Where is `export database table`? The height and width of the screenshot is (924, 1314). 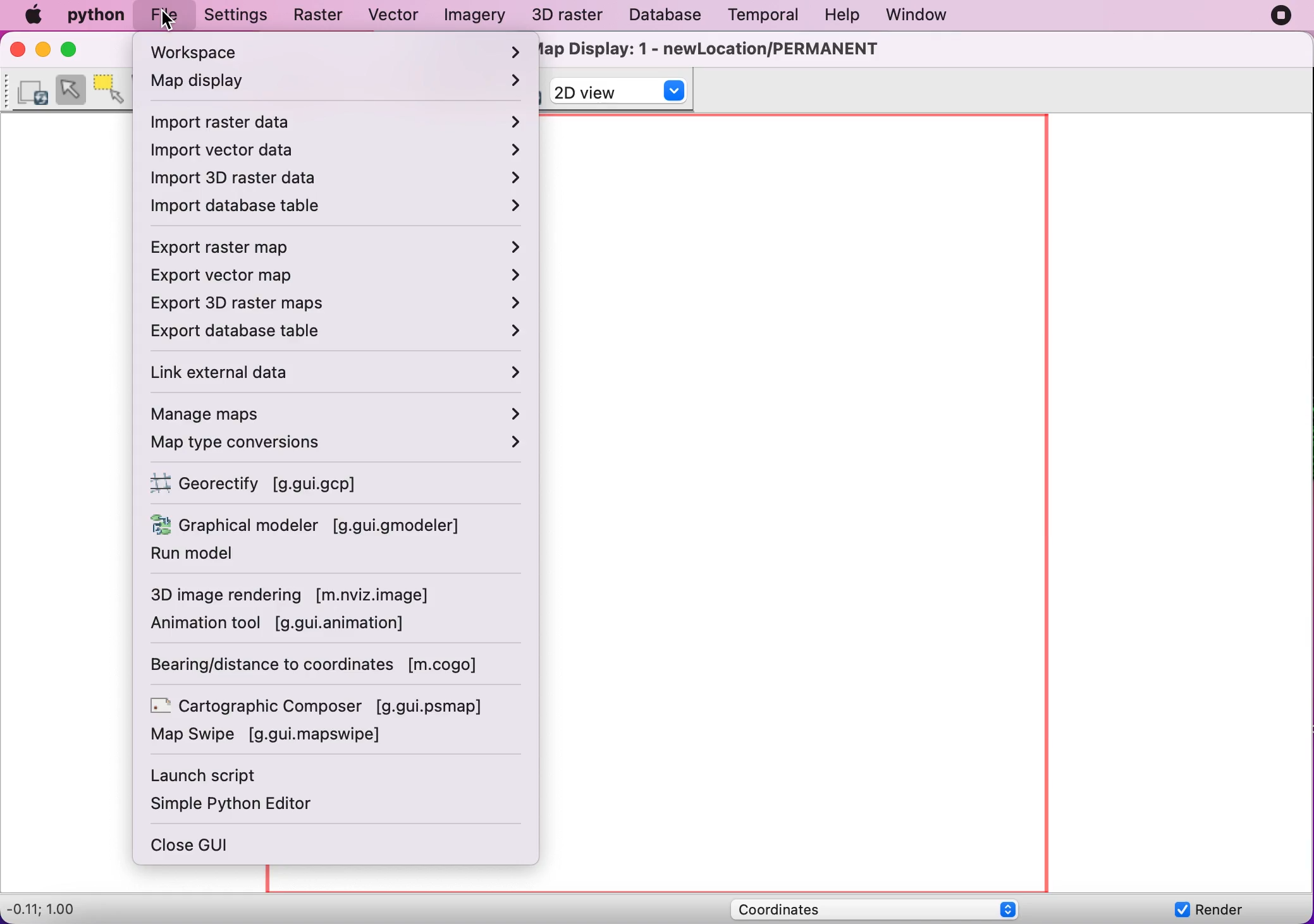 export database table is located at coordinates (338, 332).